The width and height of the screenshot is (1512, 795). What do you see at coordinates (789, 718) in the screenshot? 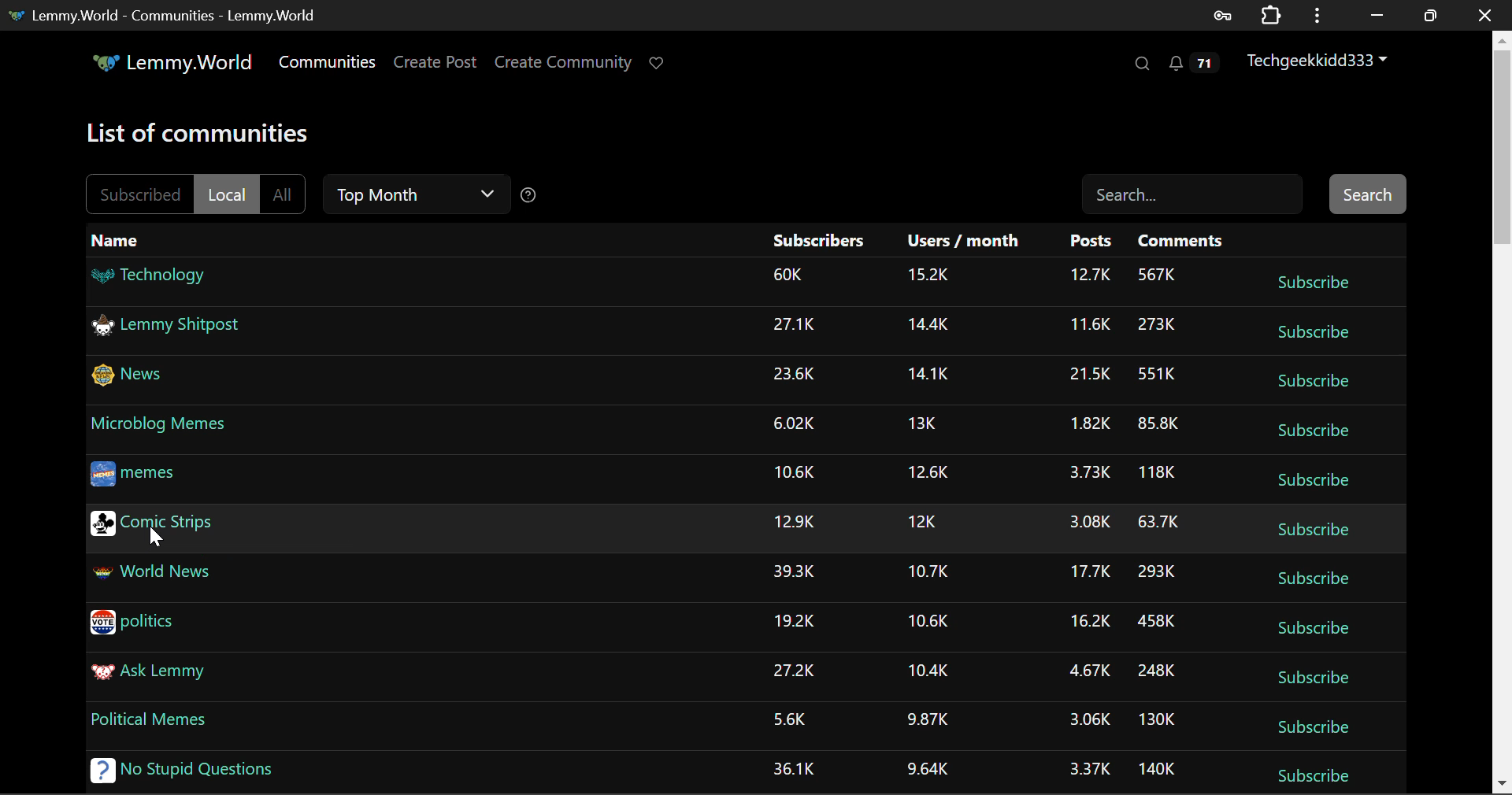
I see `5.6K` at bounding box center [789, 718].